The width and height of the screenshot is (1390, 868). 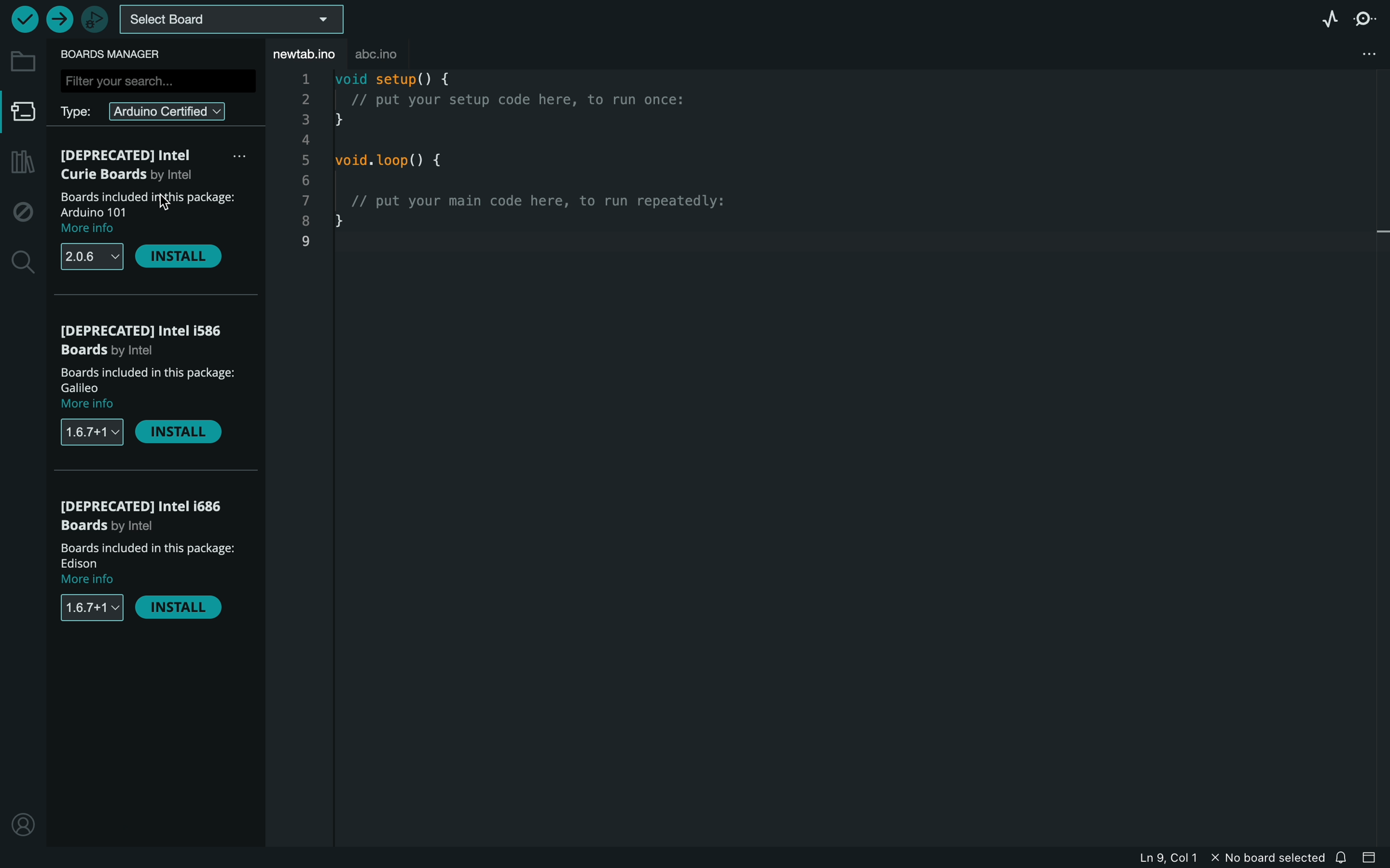 What do you see at coordinates (157, 80) in the screenshot?
I see `search bar` at bounding box center [157, 80].